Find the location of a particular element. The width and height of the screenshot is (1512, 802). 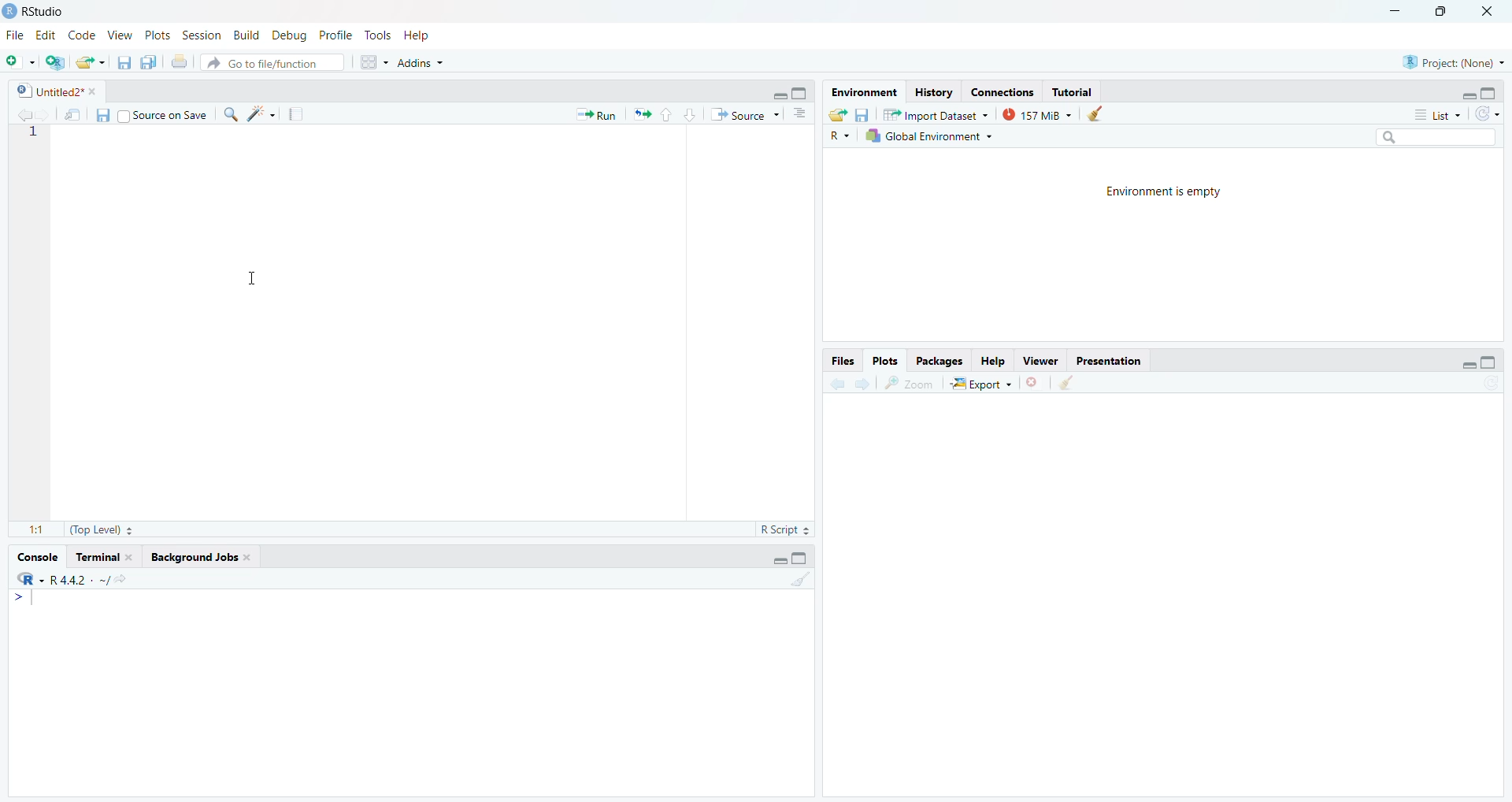

minimize is located at coordinates (780, 561).